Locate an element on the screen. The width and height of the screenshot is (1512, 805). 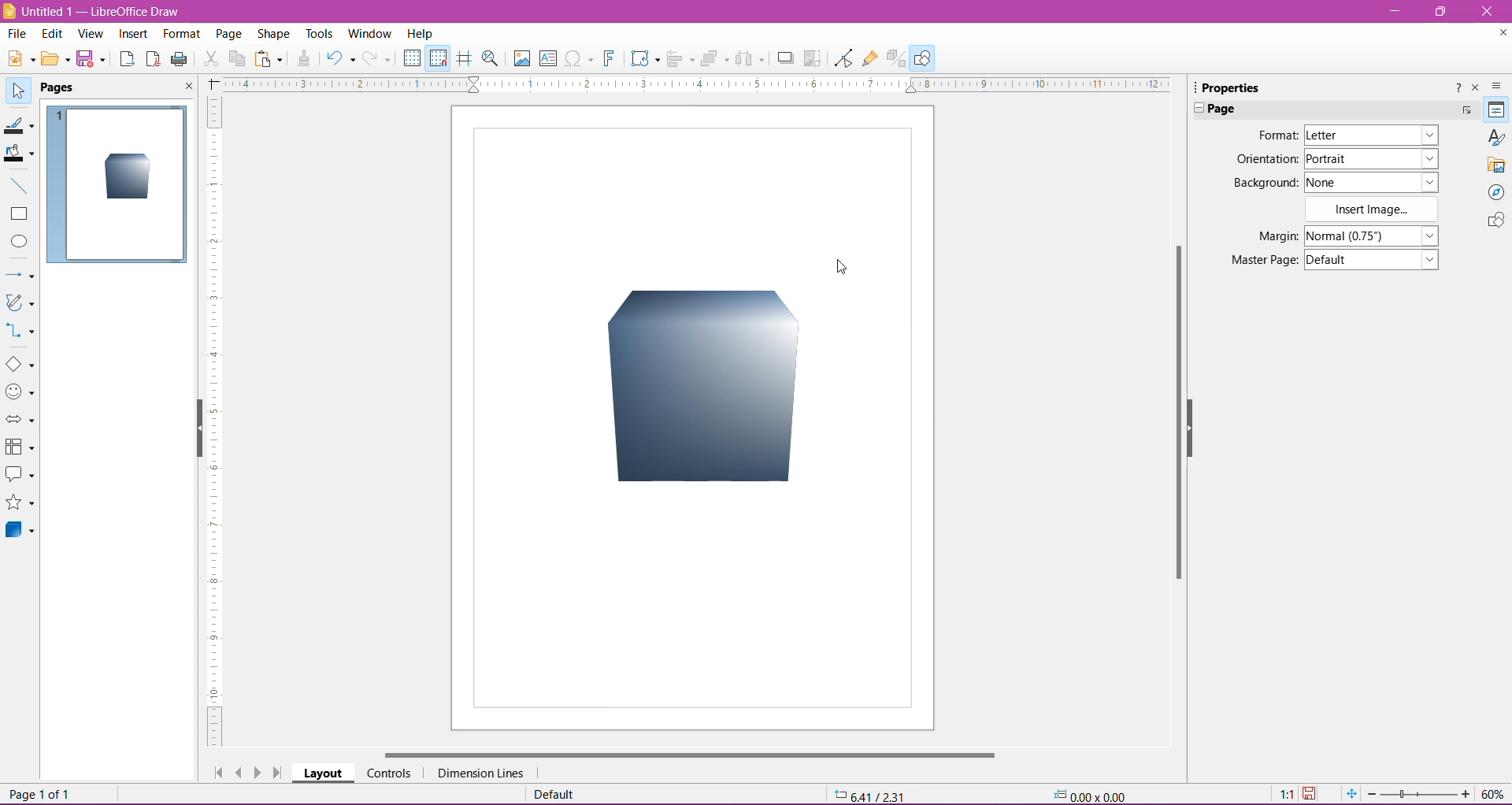
Close is located at coordinates (1488, 12).